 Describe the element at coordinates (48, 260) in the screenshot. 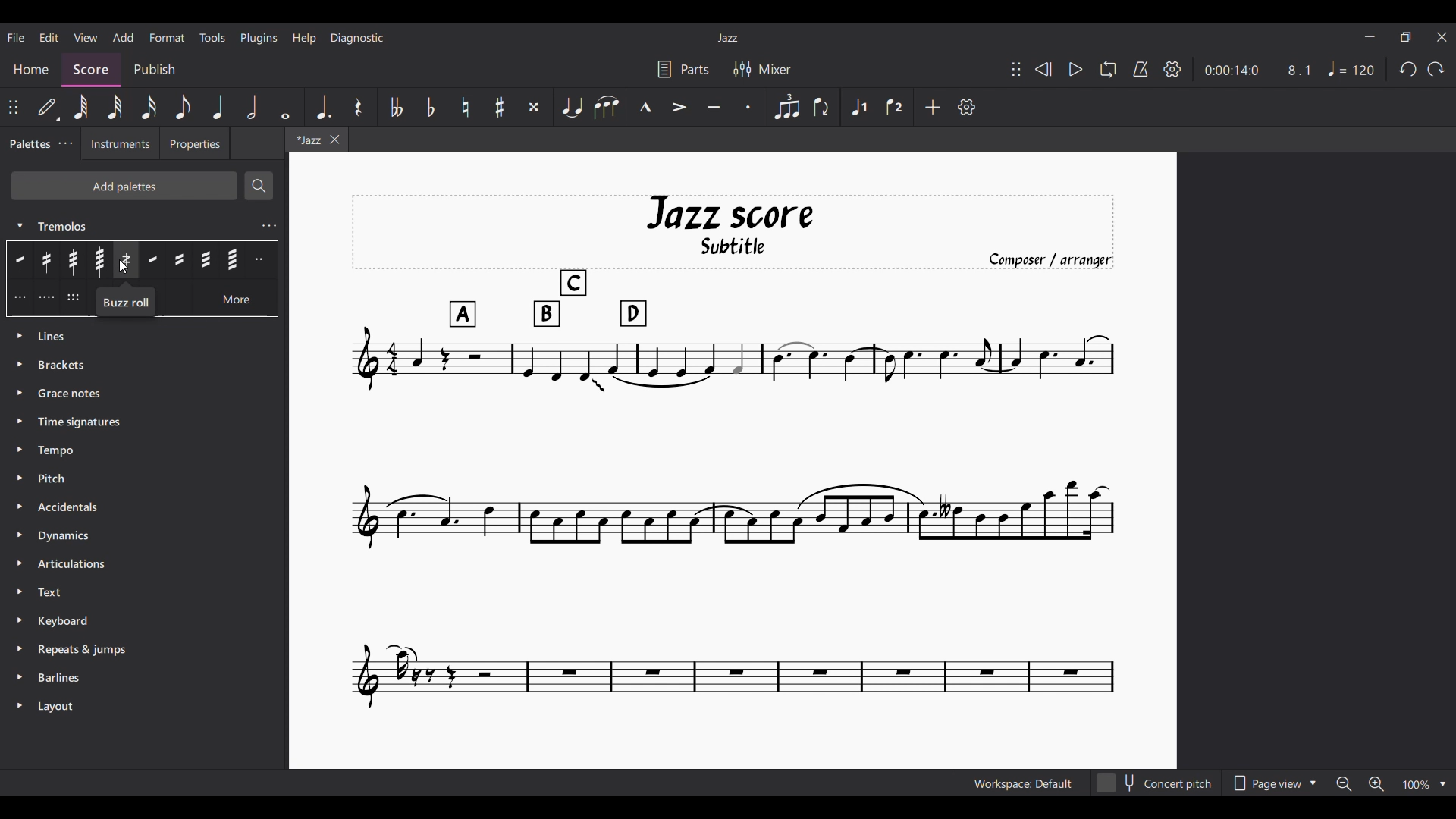

I see `16th through stem` at that location.